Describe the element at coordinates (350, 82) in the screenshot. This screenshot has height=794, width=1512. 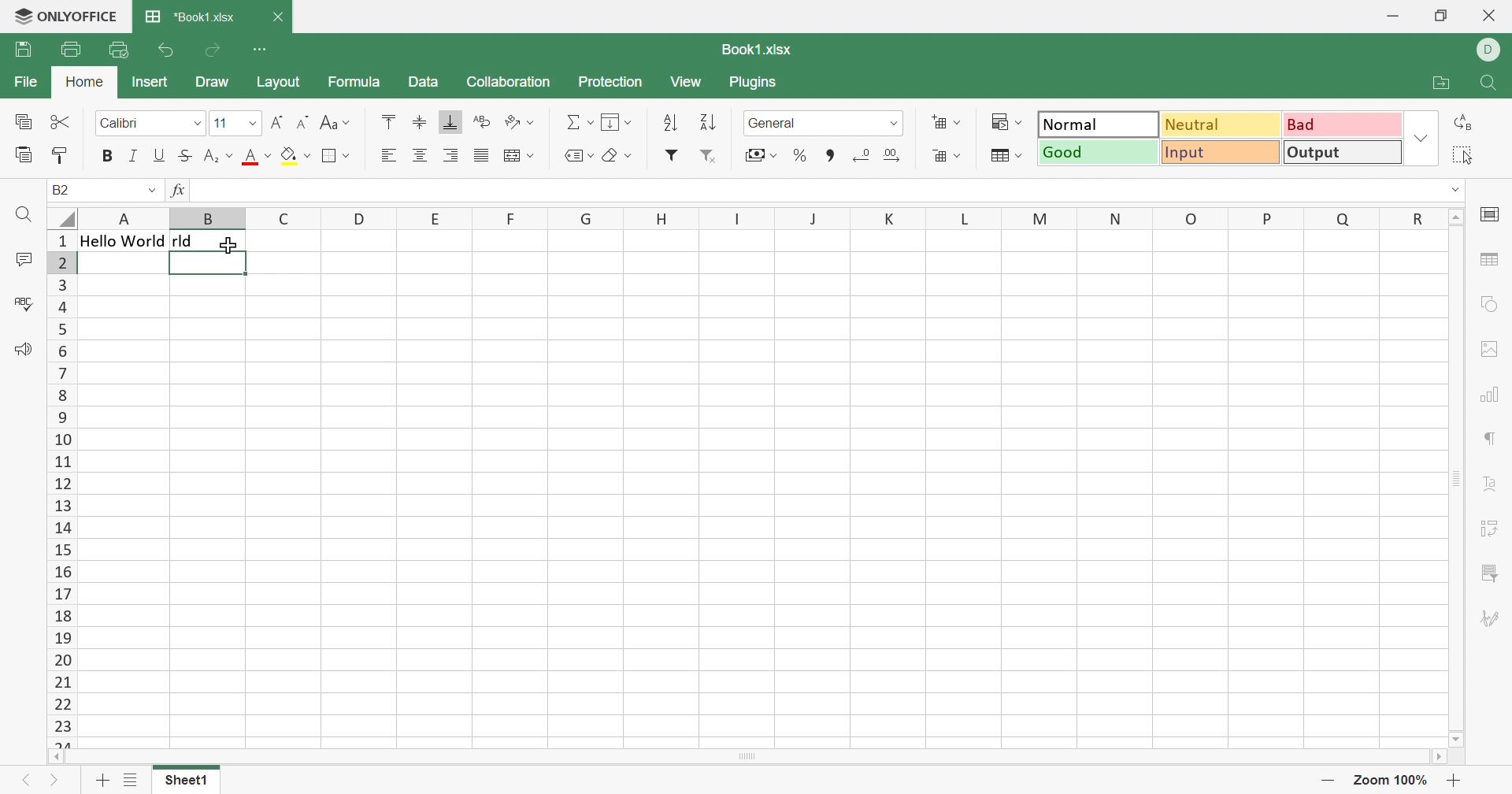
I see `Formula` at that location.